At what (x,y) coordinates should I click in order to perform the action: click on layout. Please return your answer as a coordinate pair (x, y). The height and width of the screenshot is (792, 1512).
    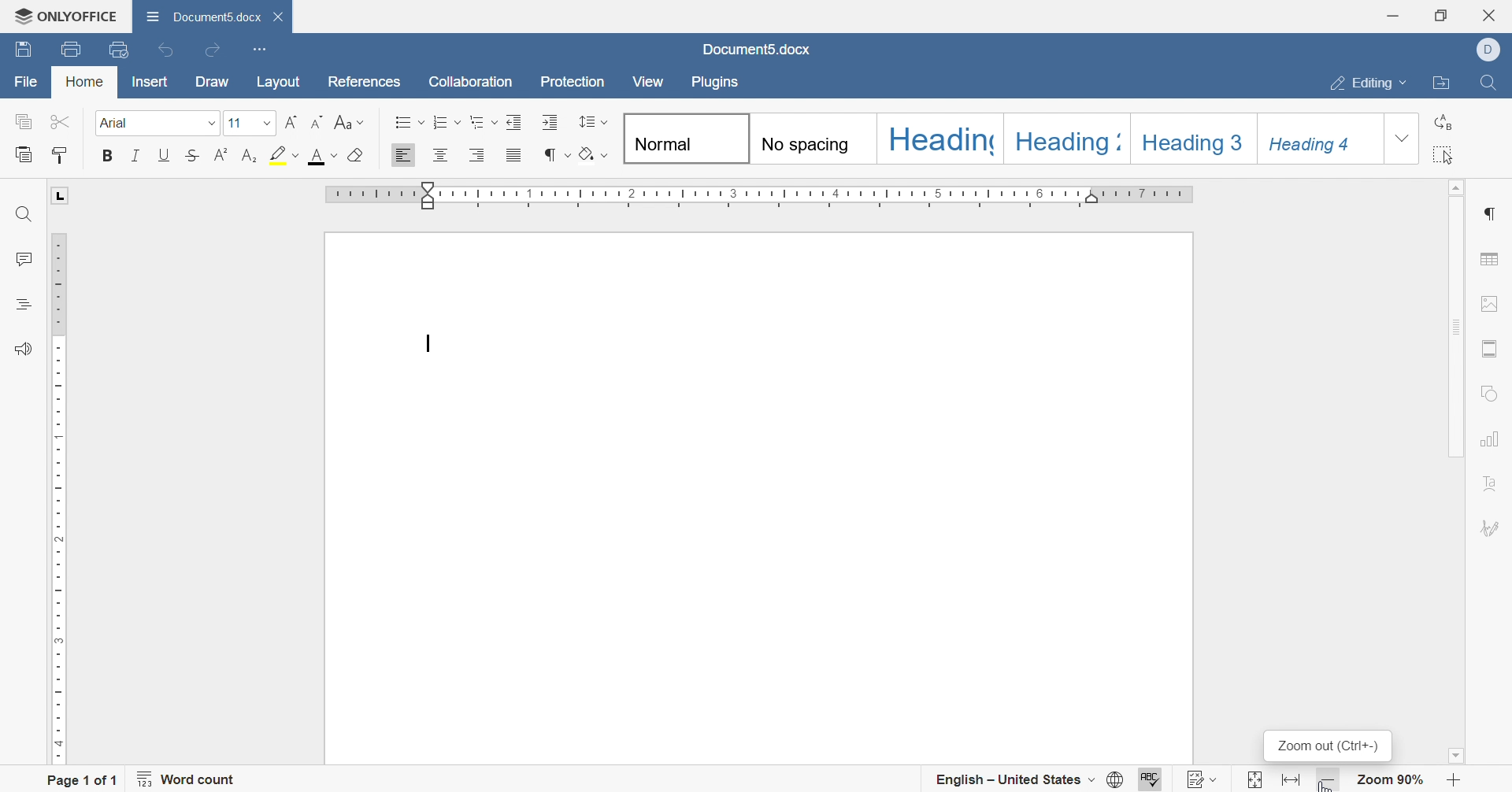
    Looking at the image, I should click on (279, 81).